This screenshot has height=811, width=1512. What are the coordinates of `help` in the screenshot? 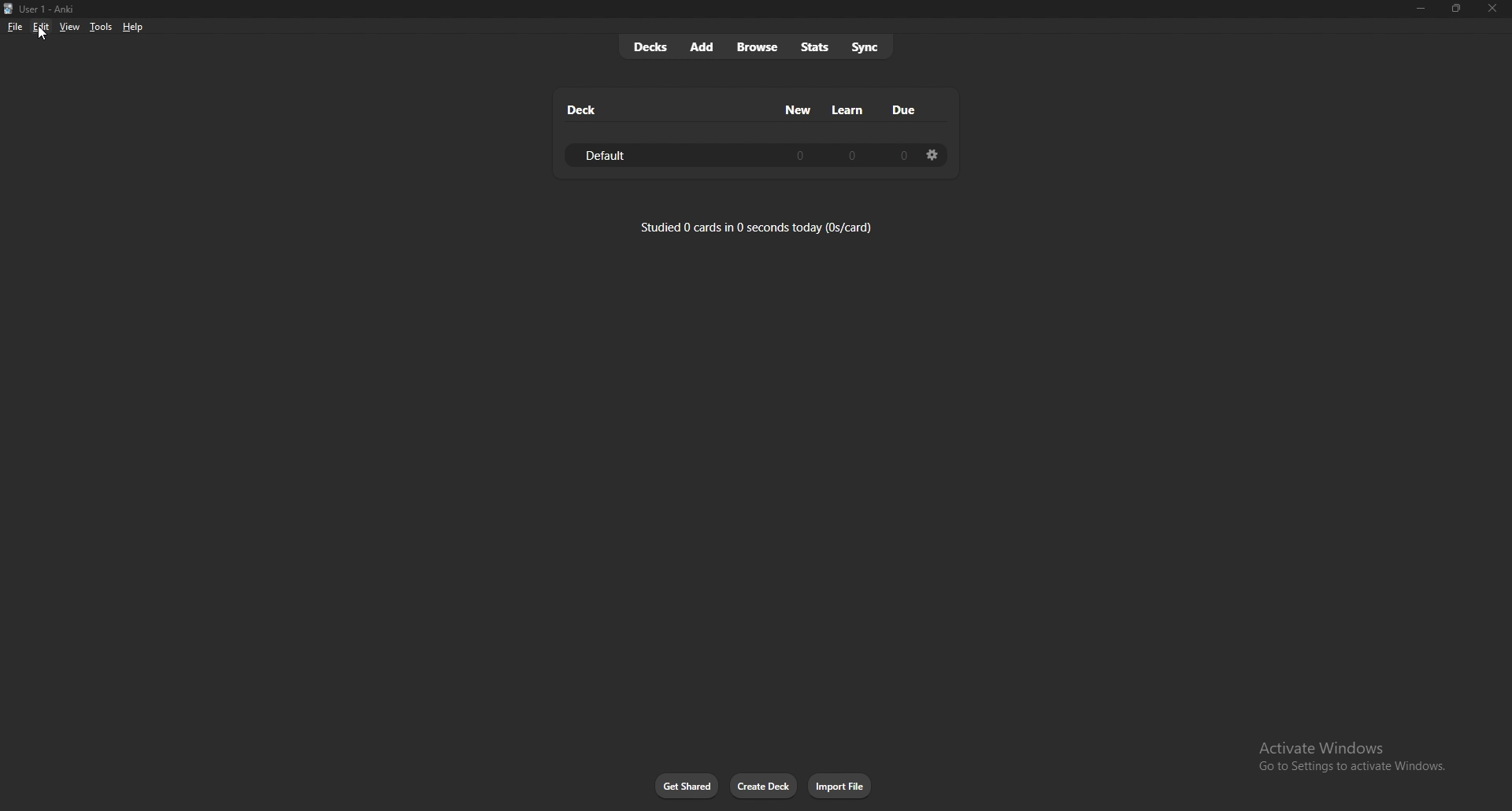 It's located at (135, 27).